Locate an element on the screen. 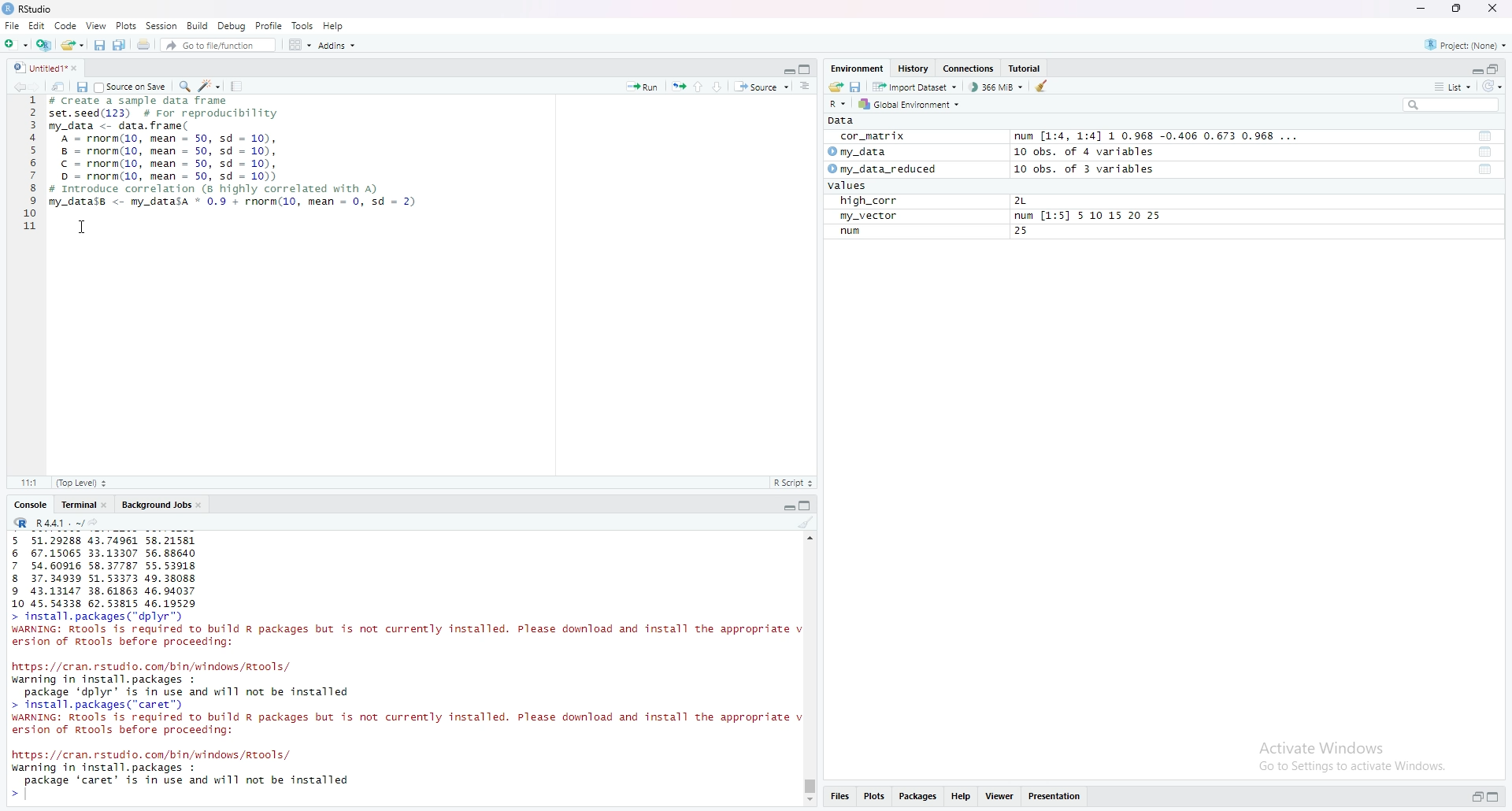 The width and height of the screenshot is (1512, 811). Copy  is located at coordinates (120, 45).